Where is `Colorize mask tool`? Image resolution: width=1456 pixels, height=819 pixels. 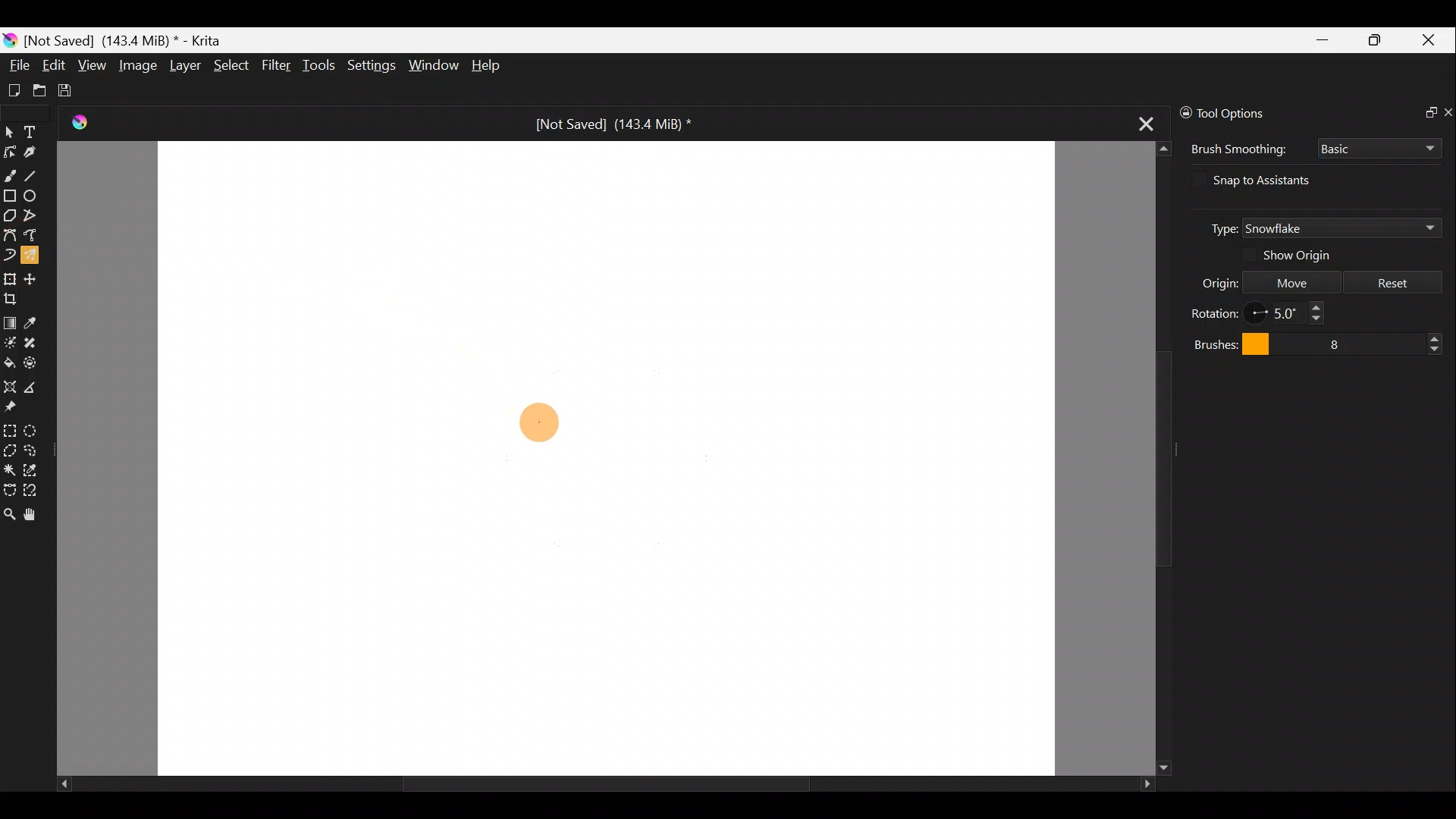
Colorize mask tool is located at coordinates (9, 342).